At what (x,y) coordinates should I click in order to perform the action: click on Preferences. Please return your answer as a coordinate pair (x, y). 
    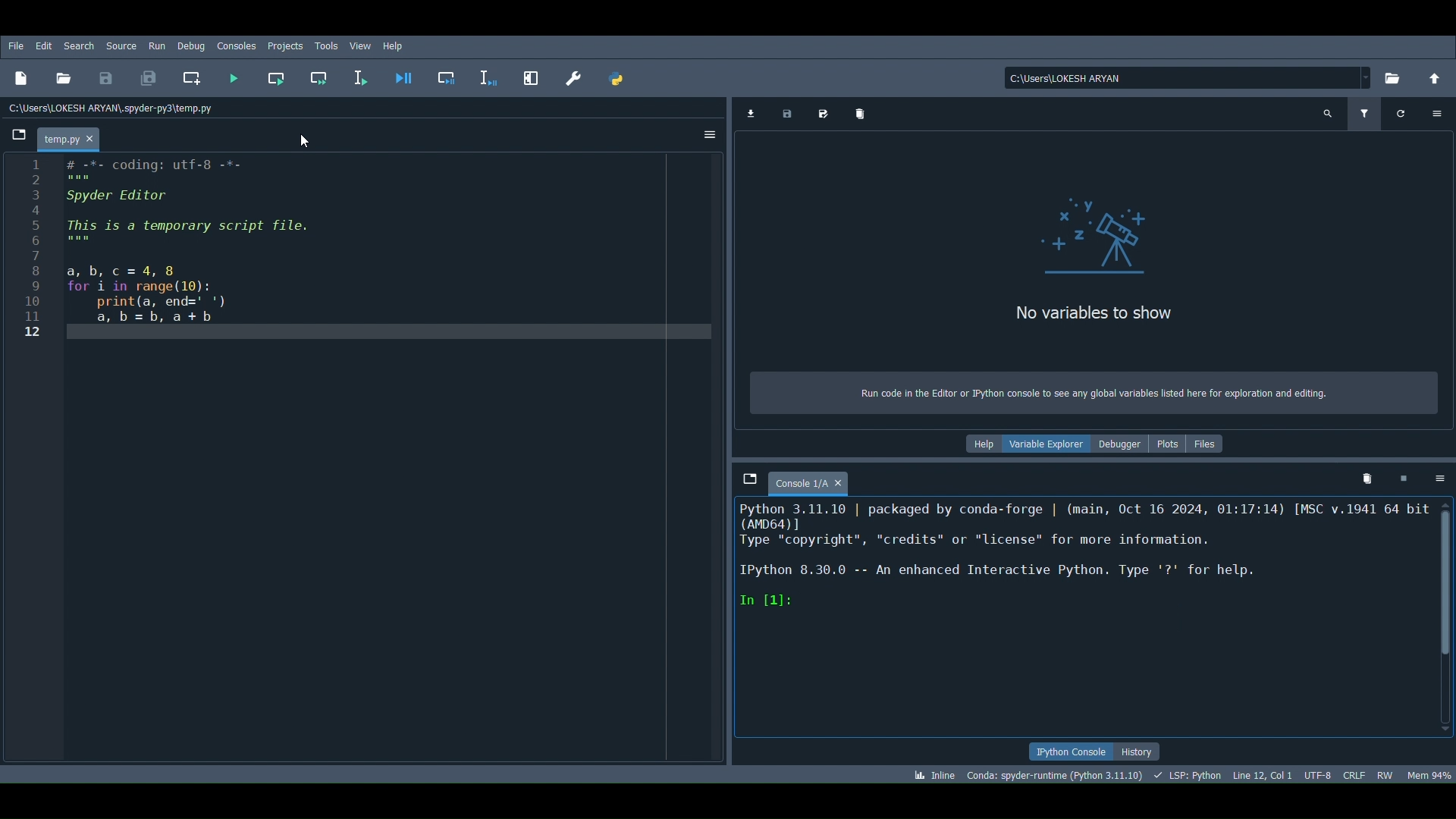
    Looking at the image, I should click on (578, 80).